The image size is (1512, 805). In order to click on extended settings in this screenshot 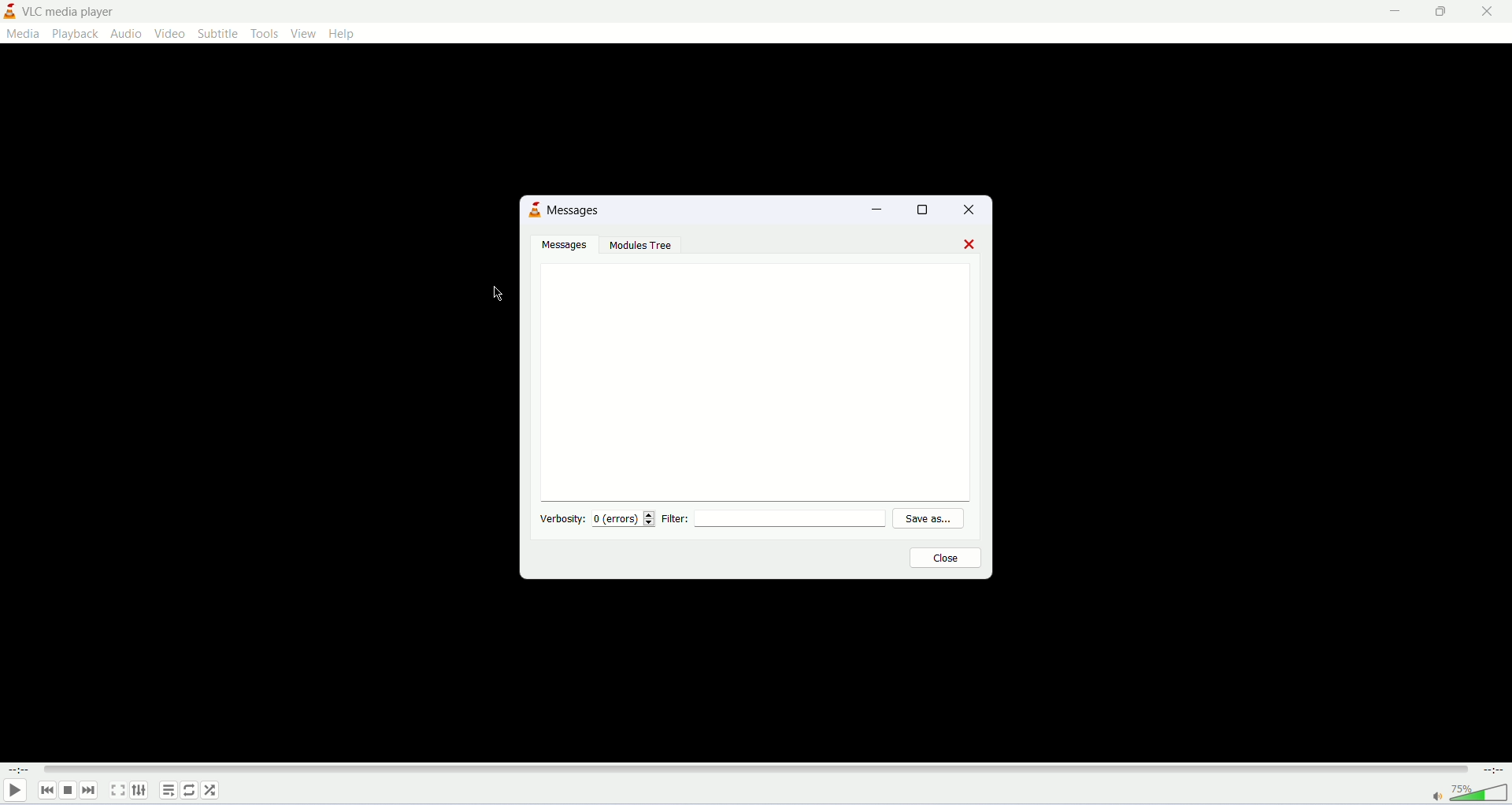, I will do `click(139, 791)`.